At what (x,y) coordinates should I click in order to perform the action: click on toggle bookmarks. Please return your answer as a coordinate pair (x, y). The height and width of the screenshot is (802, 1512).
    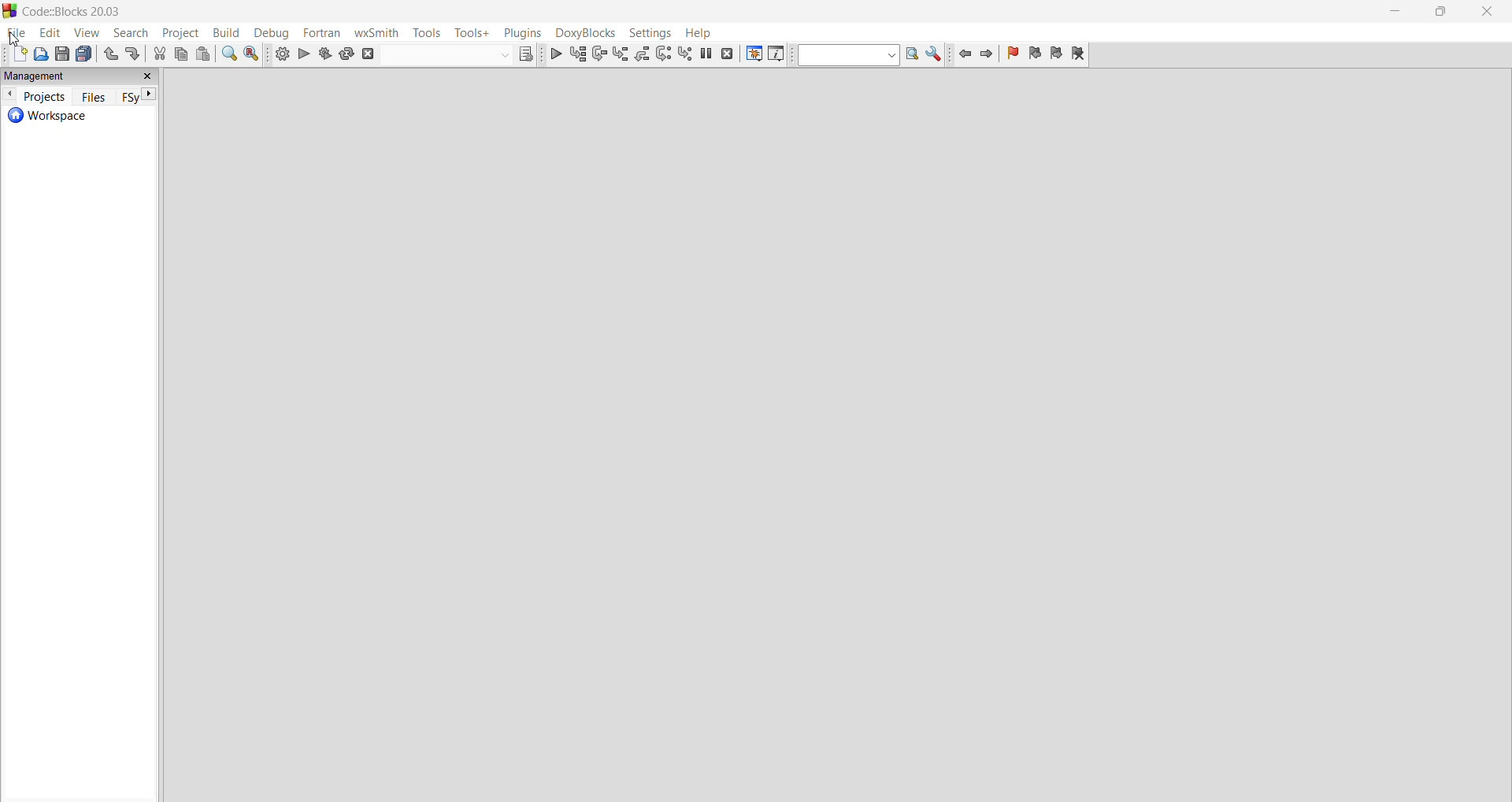
    Looking at the image, I should click on (1012, 54).